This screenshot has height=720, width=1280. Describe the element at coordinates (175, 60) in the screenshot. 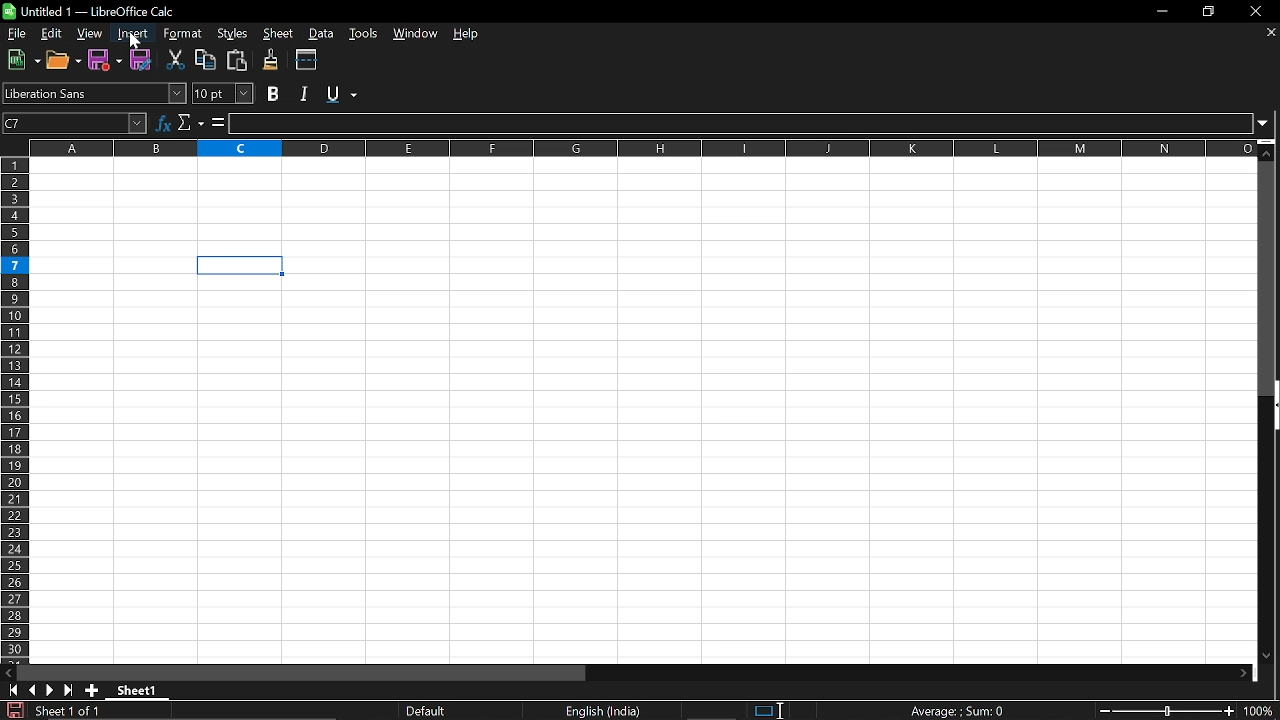

I see `Cut` at that location.